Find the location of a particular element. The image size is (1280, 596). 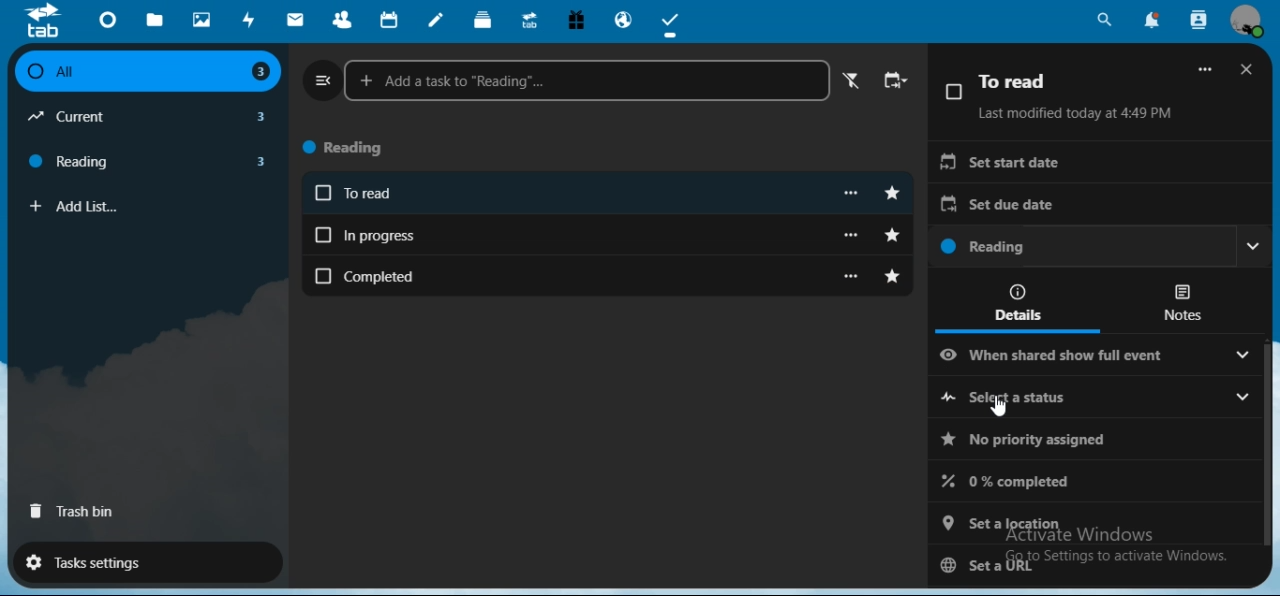

add list is located at coordinates (146, 207).